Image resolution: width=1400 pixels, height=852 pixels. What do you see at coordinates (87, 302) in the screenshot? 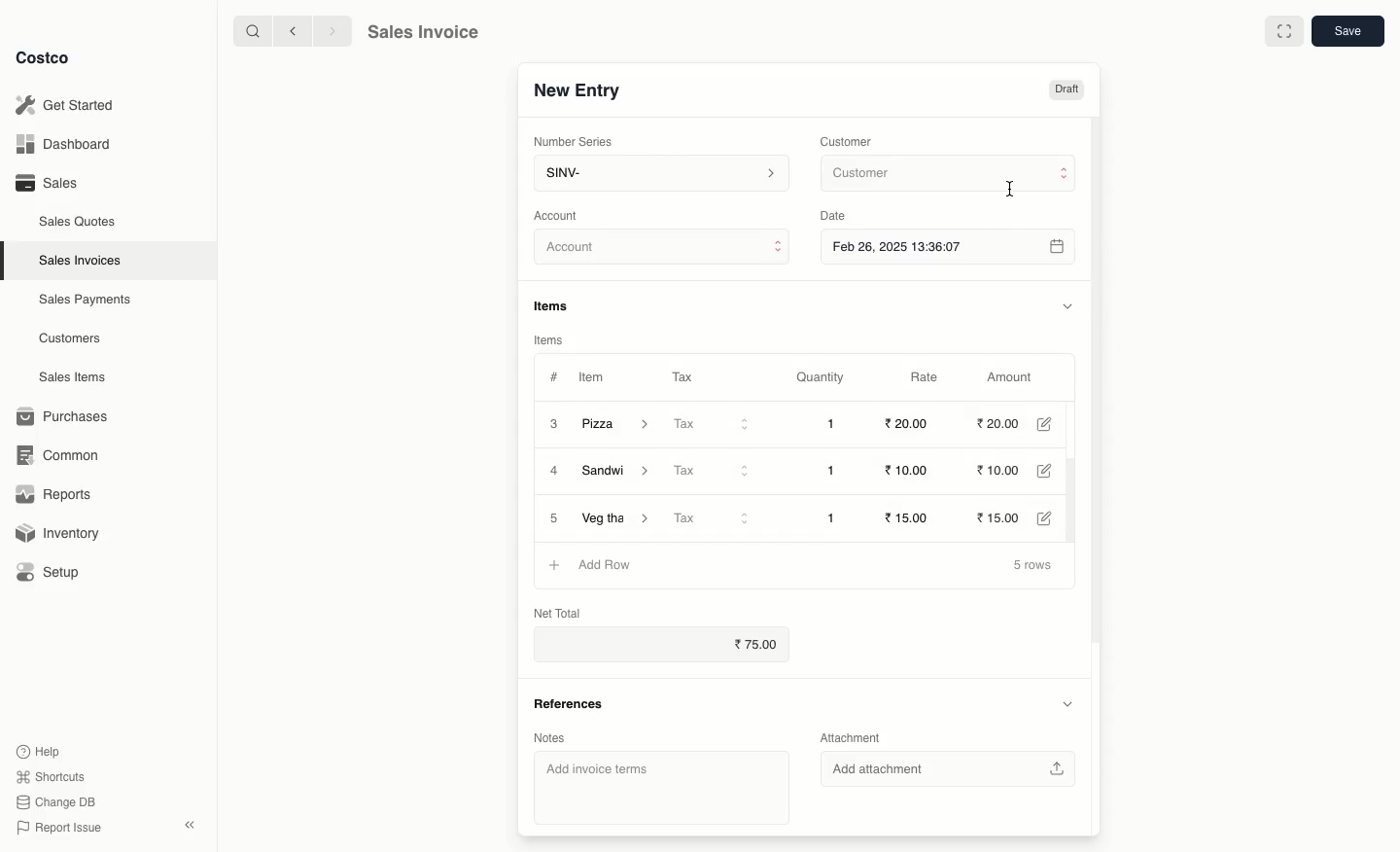
I see `Sales Payments.` at bounding box center [87, 302].